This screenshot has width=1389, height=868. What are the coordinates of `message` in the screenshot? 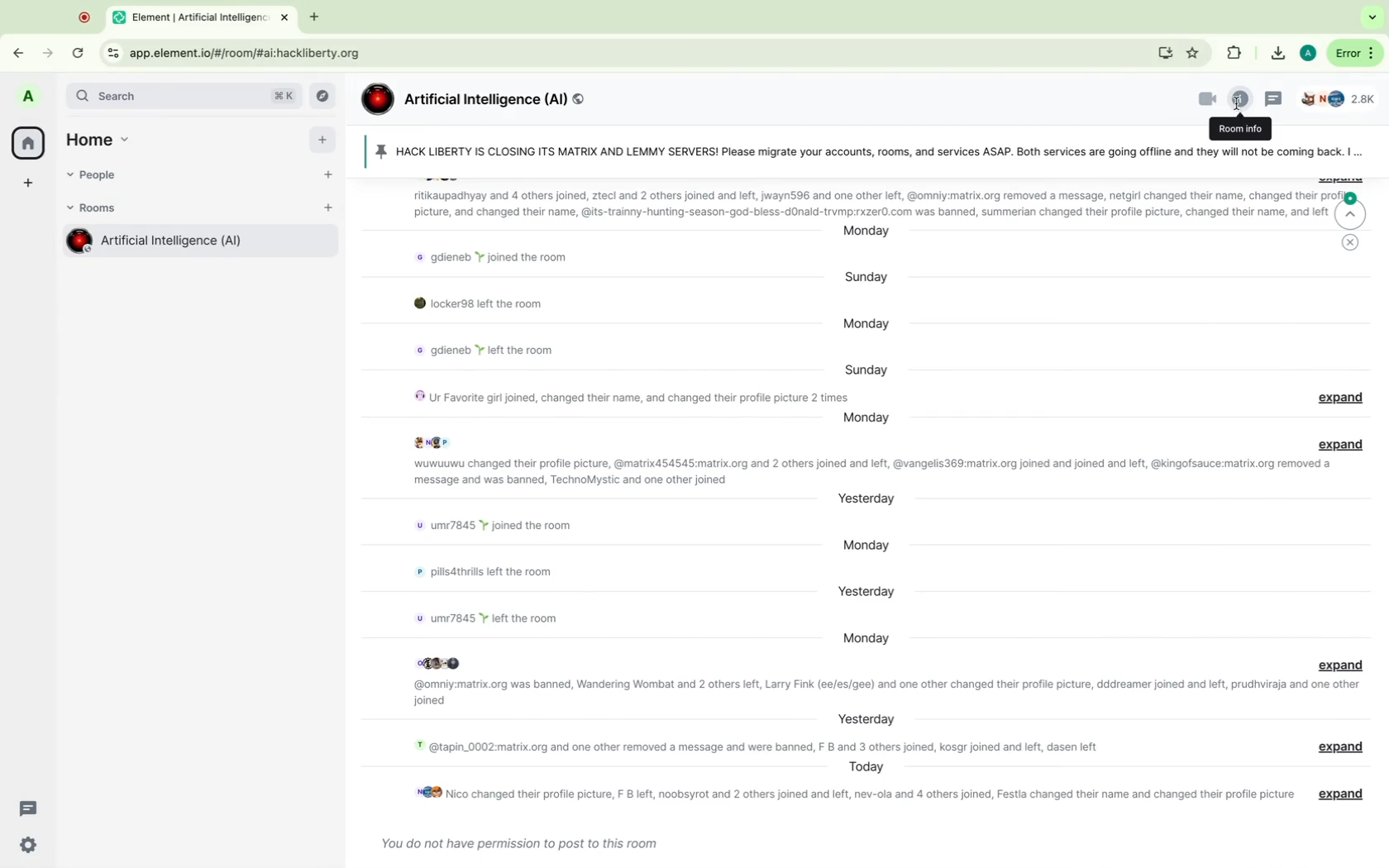 It's located at (847, 203).